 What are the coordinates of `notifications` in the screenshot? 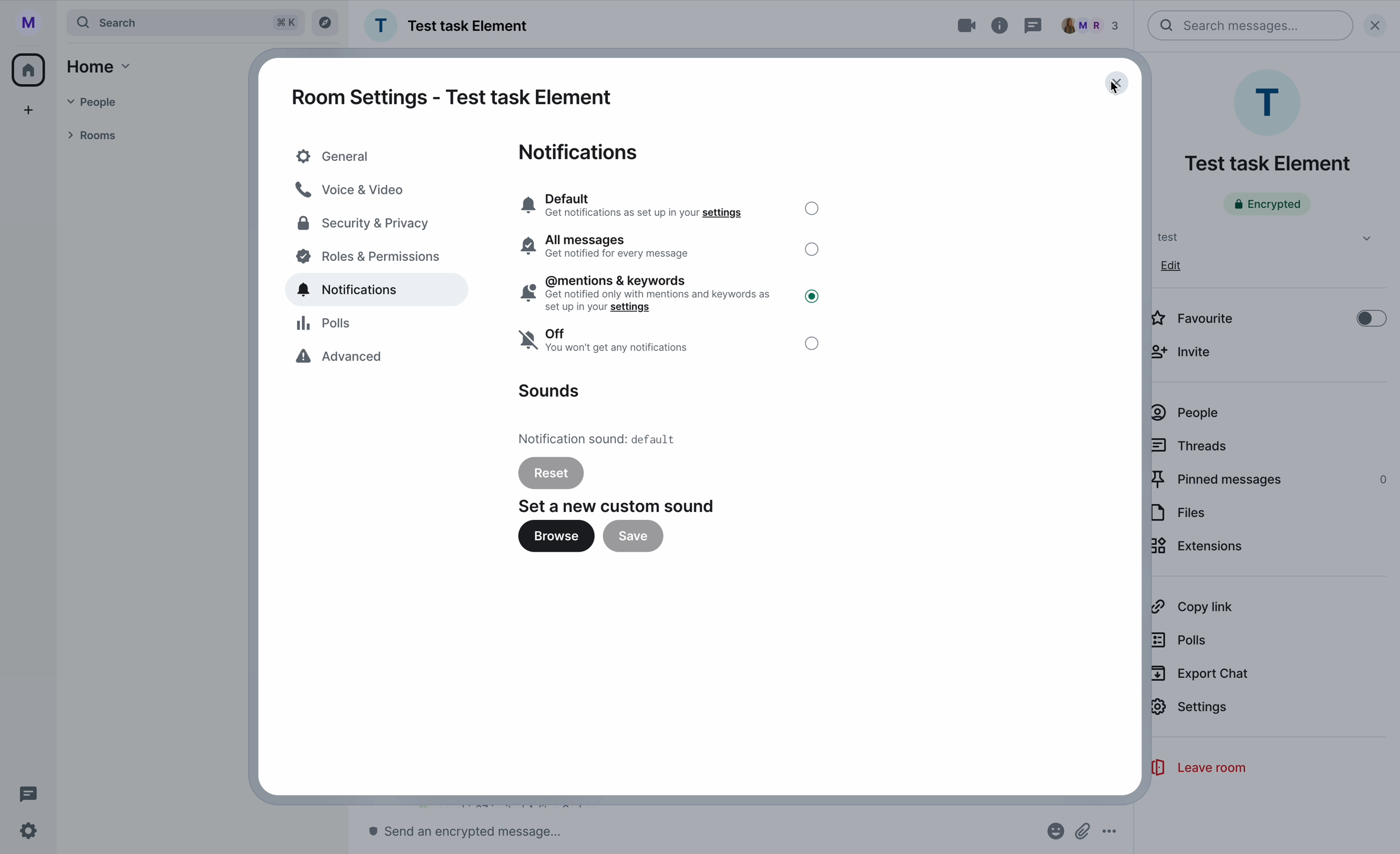 It's located at (582, 152).